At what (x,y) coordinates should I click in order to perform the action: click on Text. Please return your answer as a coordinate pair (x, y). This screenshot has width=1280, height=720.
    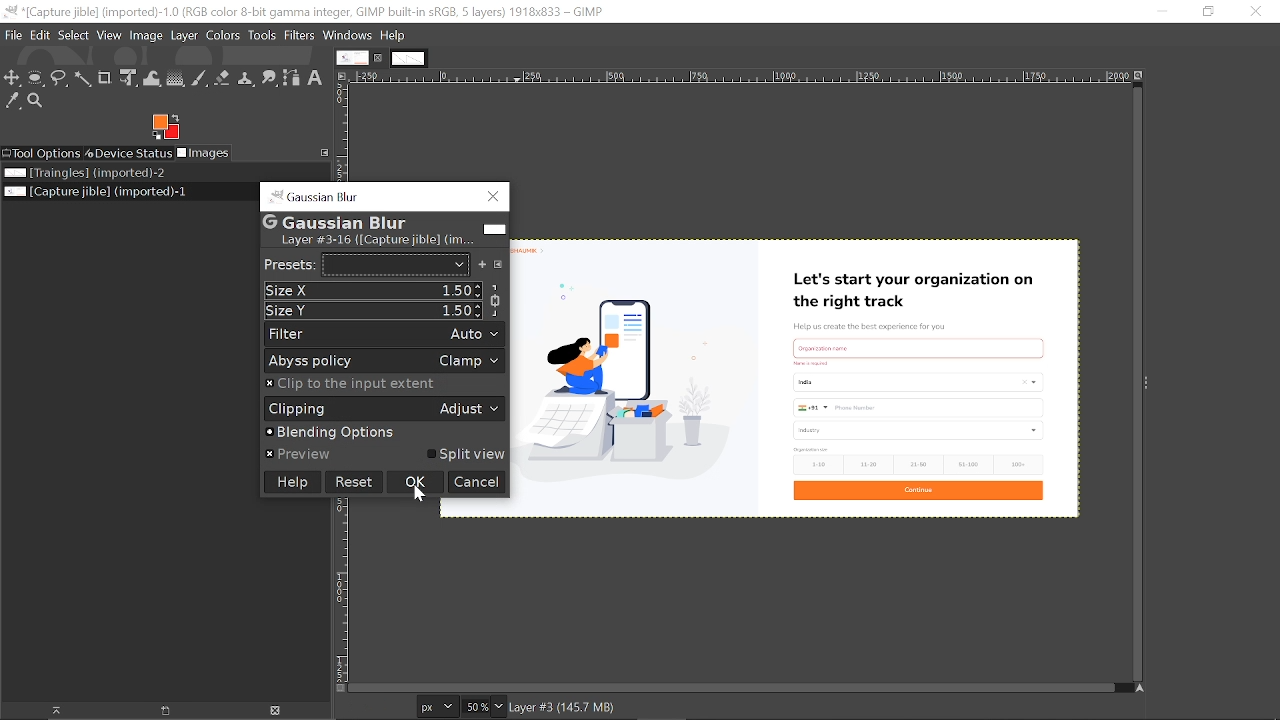
    Looking at the image, I should click on (380, 230).